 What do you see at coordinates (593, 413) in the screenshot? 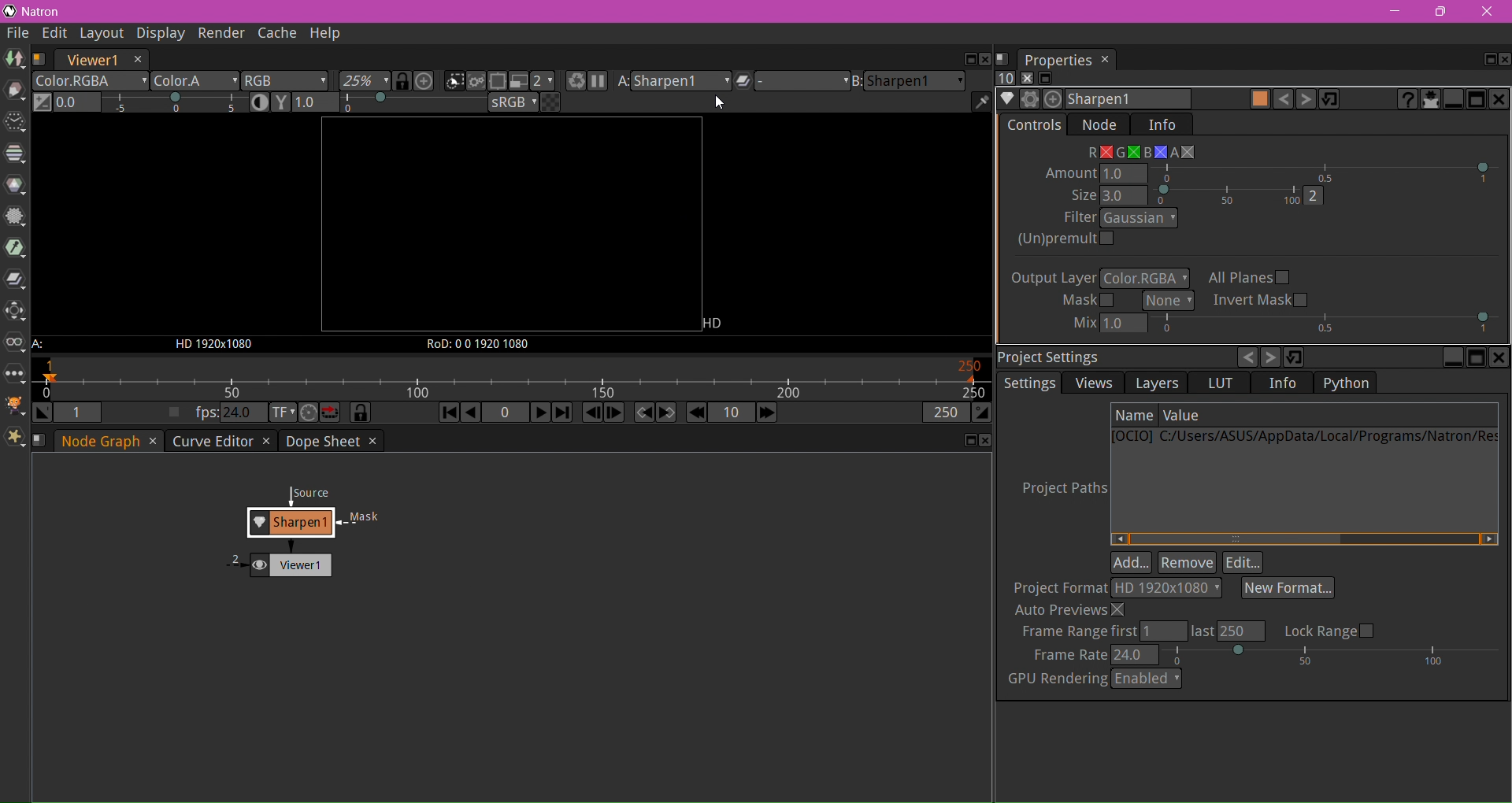
I see `Previous frame` at bounding box center [593, 413].